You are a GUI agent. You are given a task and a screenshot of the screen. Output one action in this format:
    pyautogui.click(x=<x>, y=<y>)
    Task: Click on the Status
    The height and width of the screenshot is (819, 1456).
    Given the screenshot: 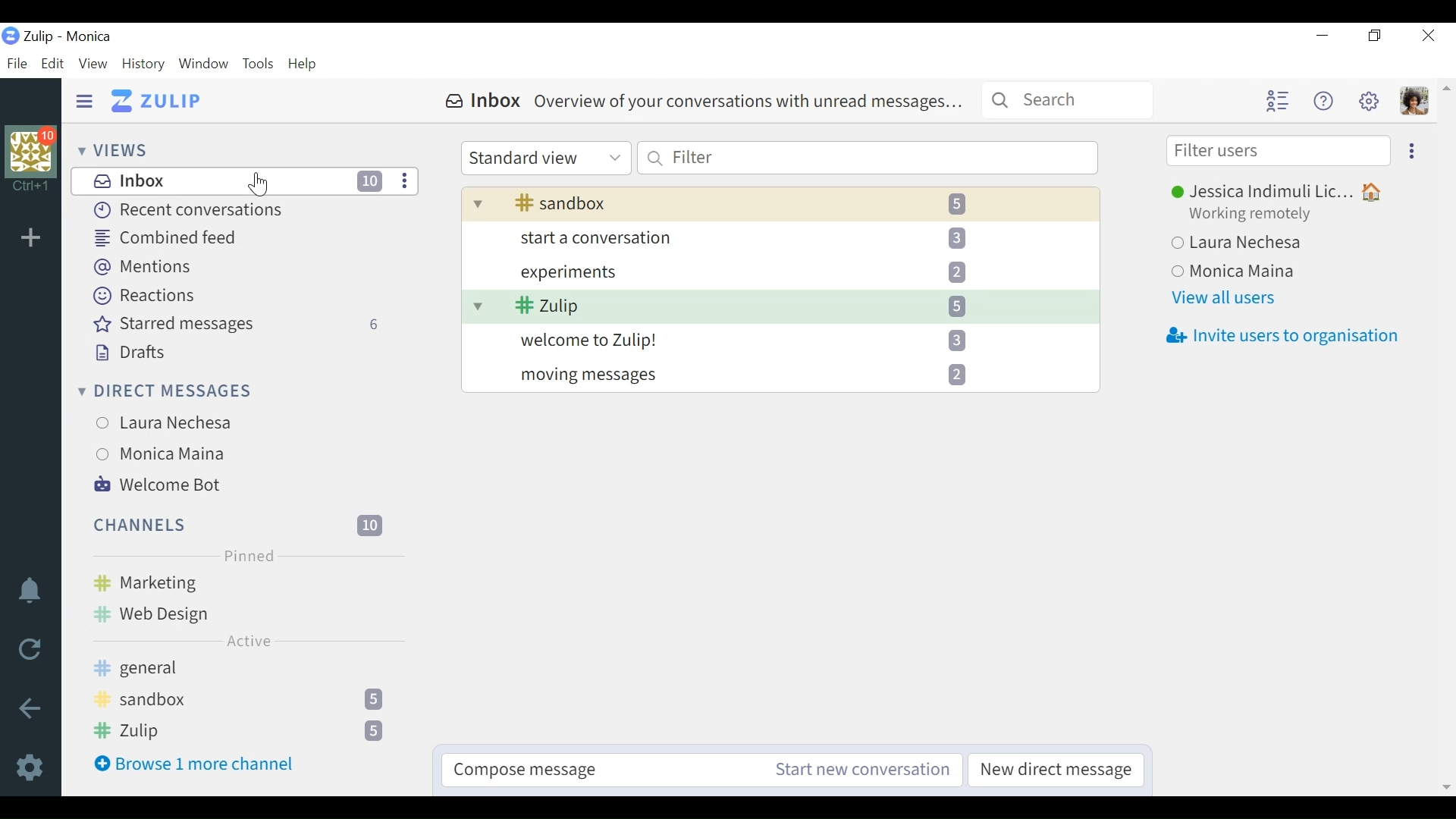 What is the action you would take?
    pyautogui.click(x=1250, y=216)
    